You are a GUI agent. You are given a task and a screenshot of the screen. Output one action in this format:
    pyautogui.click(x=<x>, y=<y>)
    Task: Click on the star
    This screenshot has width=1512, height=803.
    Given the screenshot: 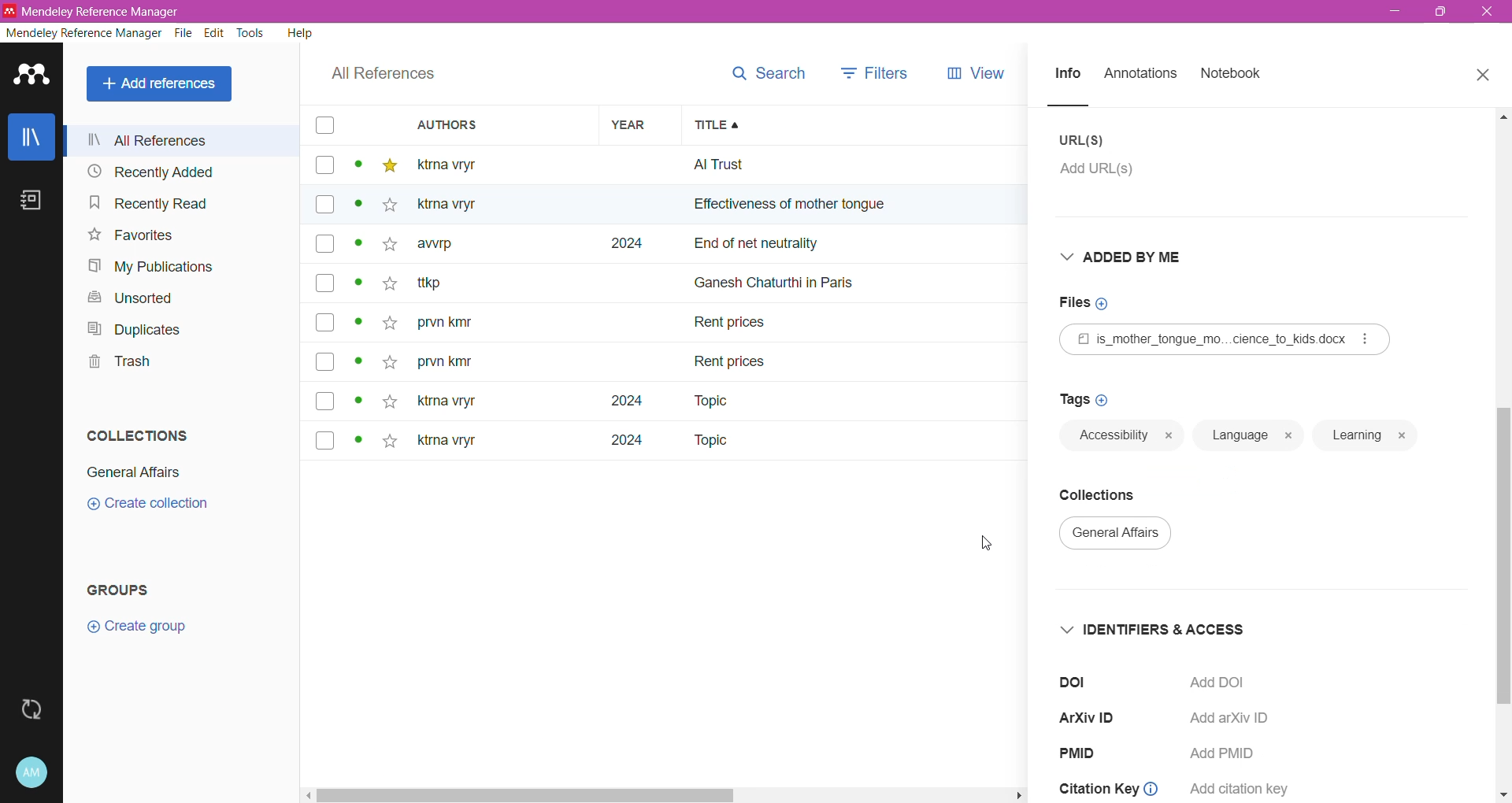 What is the action you would take?
    pyautogui.click(x=384, y=250)
    